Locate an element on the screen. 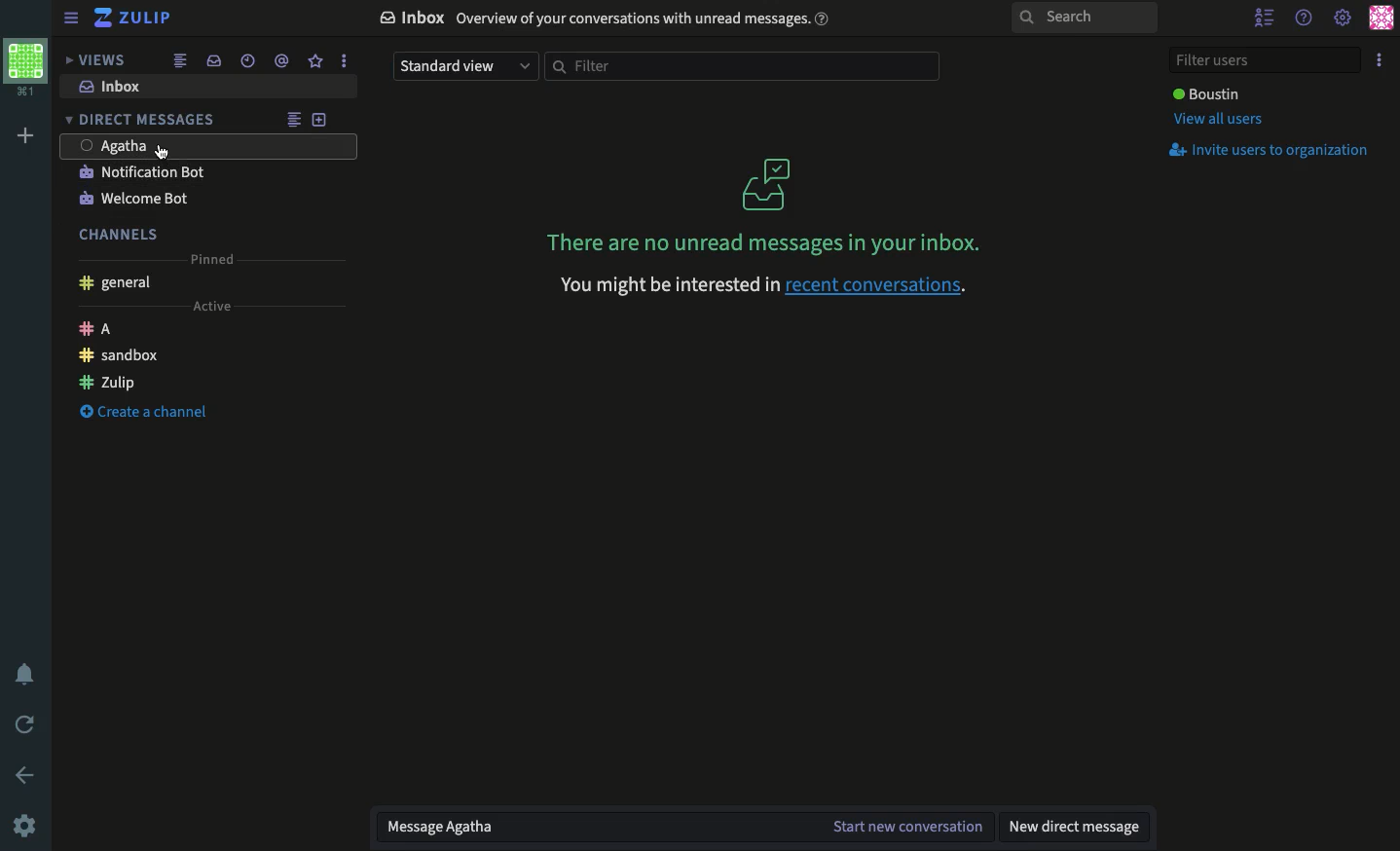  Profile is located at coordinates (29, 69).